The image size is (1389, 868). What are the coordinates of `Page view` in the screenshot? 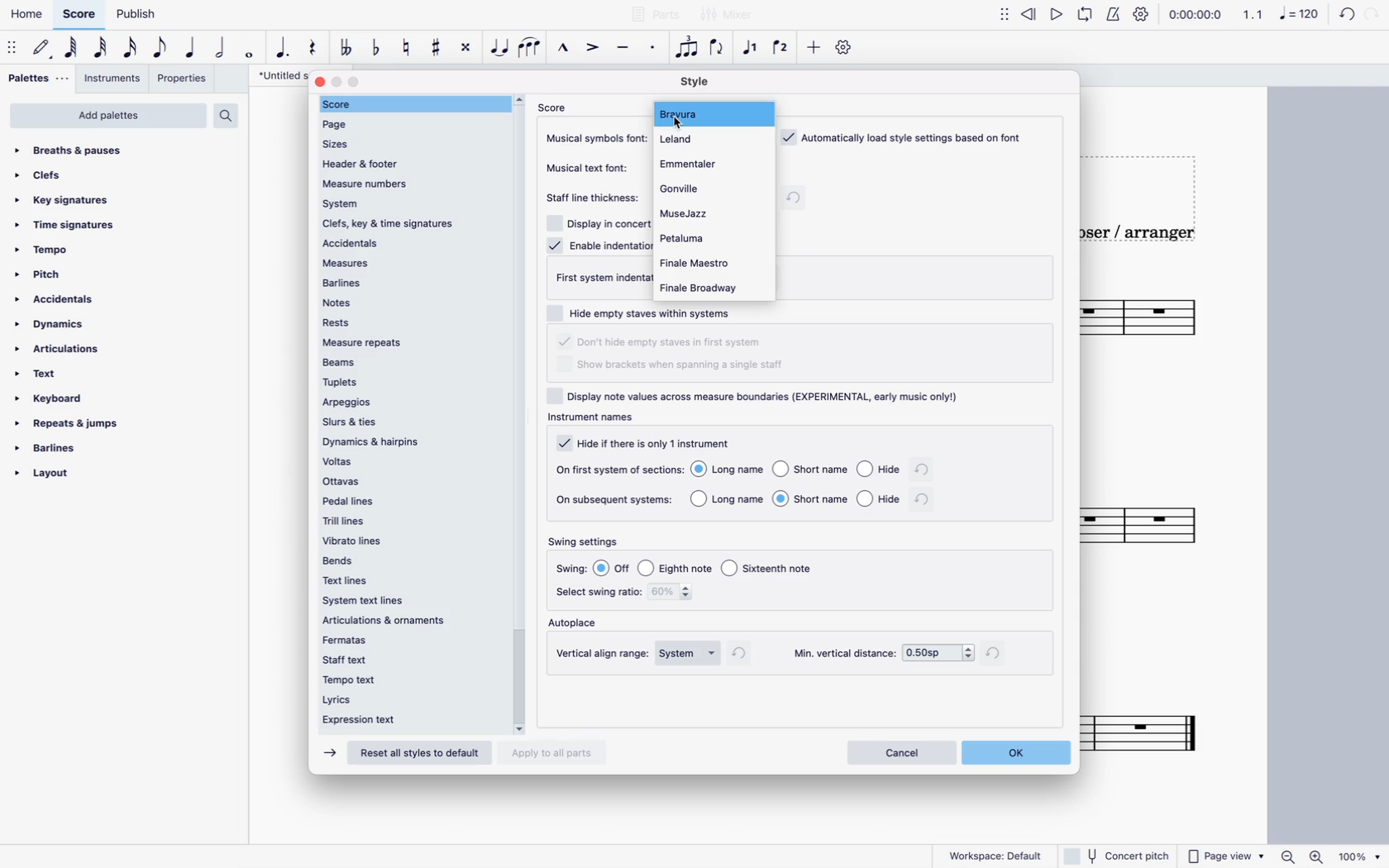 It's located at (1227, 856).